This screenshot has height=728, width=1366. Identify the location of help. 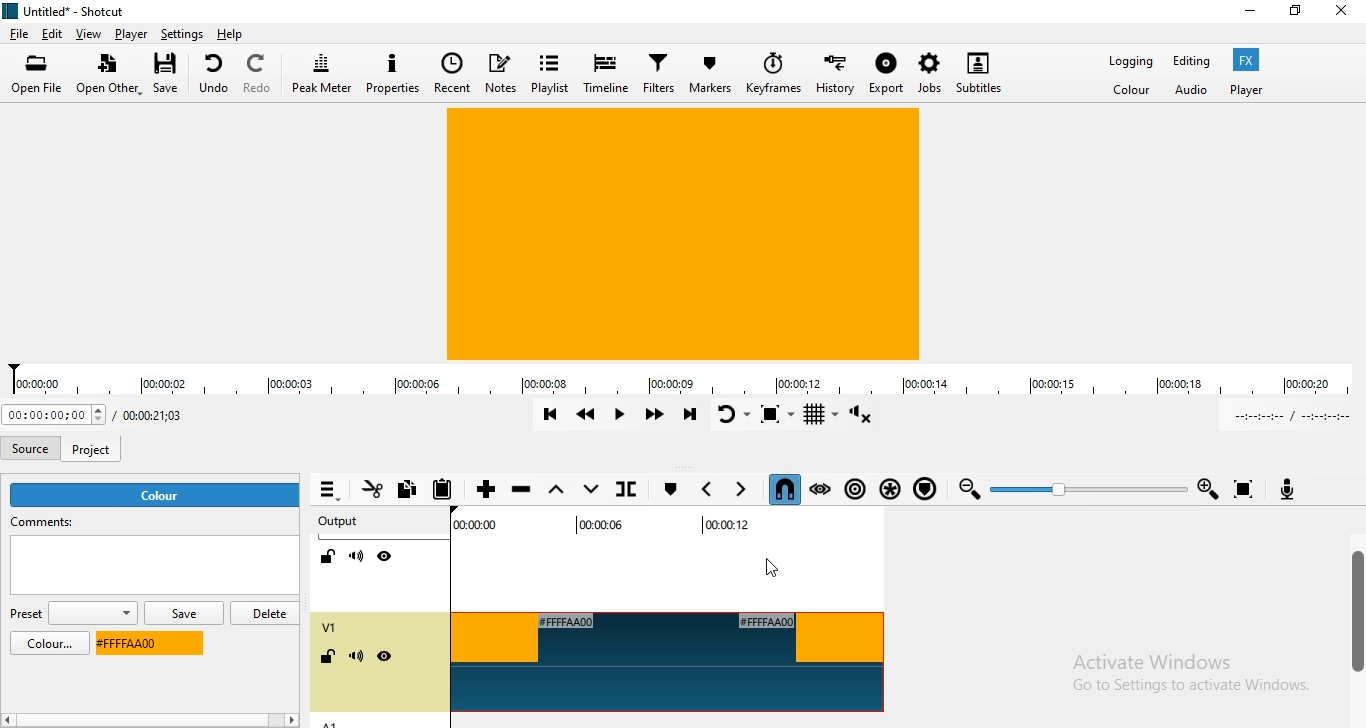
(231, 34).